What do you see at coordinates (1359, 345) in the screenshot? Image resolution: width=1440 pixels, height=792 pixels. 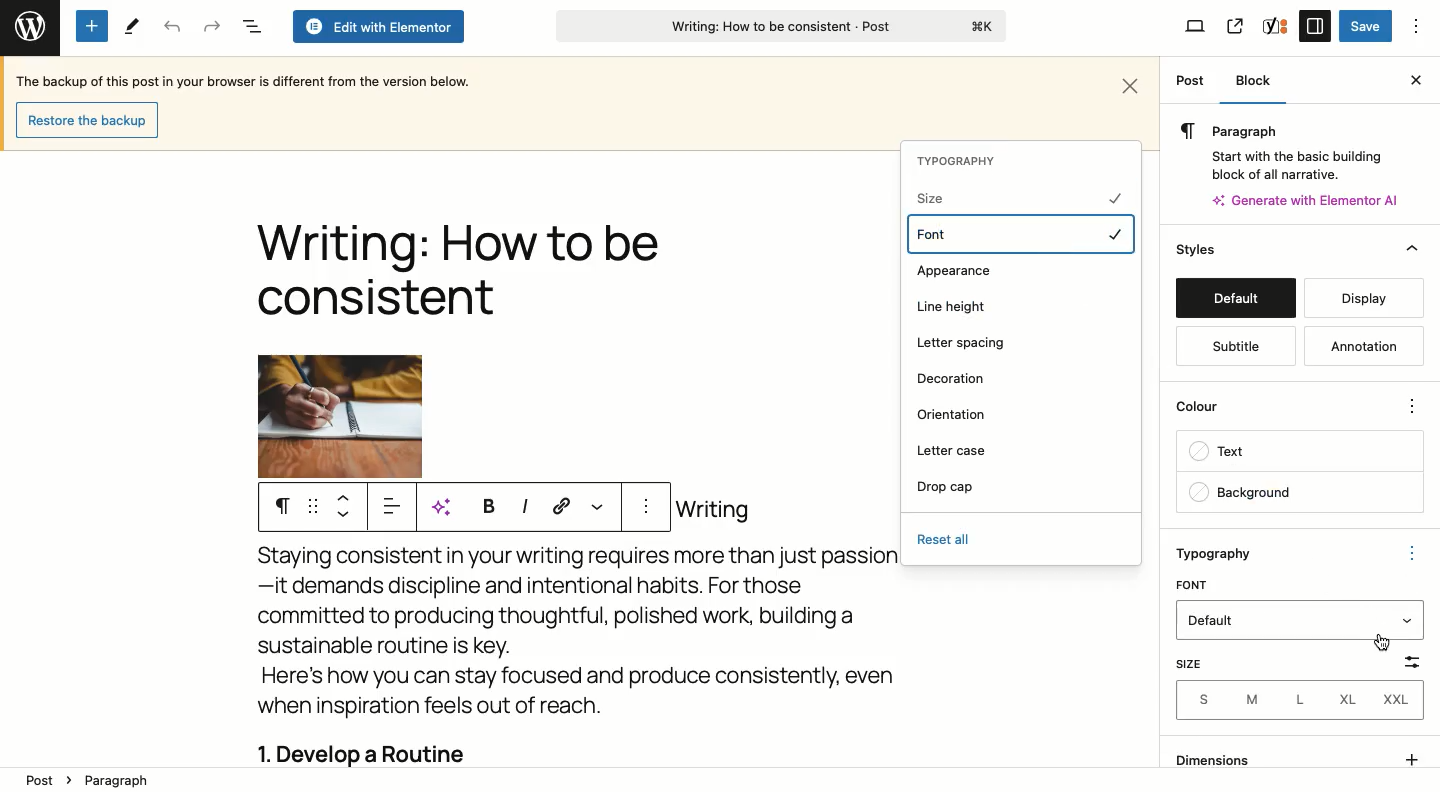 I see `Annotation` at bounding box center [1359, 345].